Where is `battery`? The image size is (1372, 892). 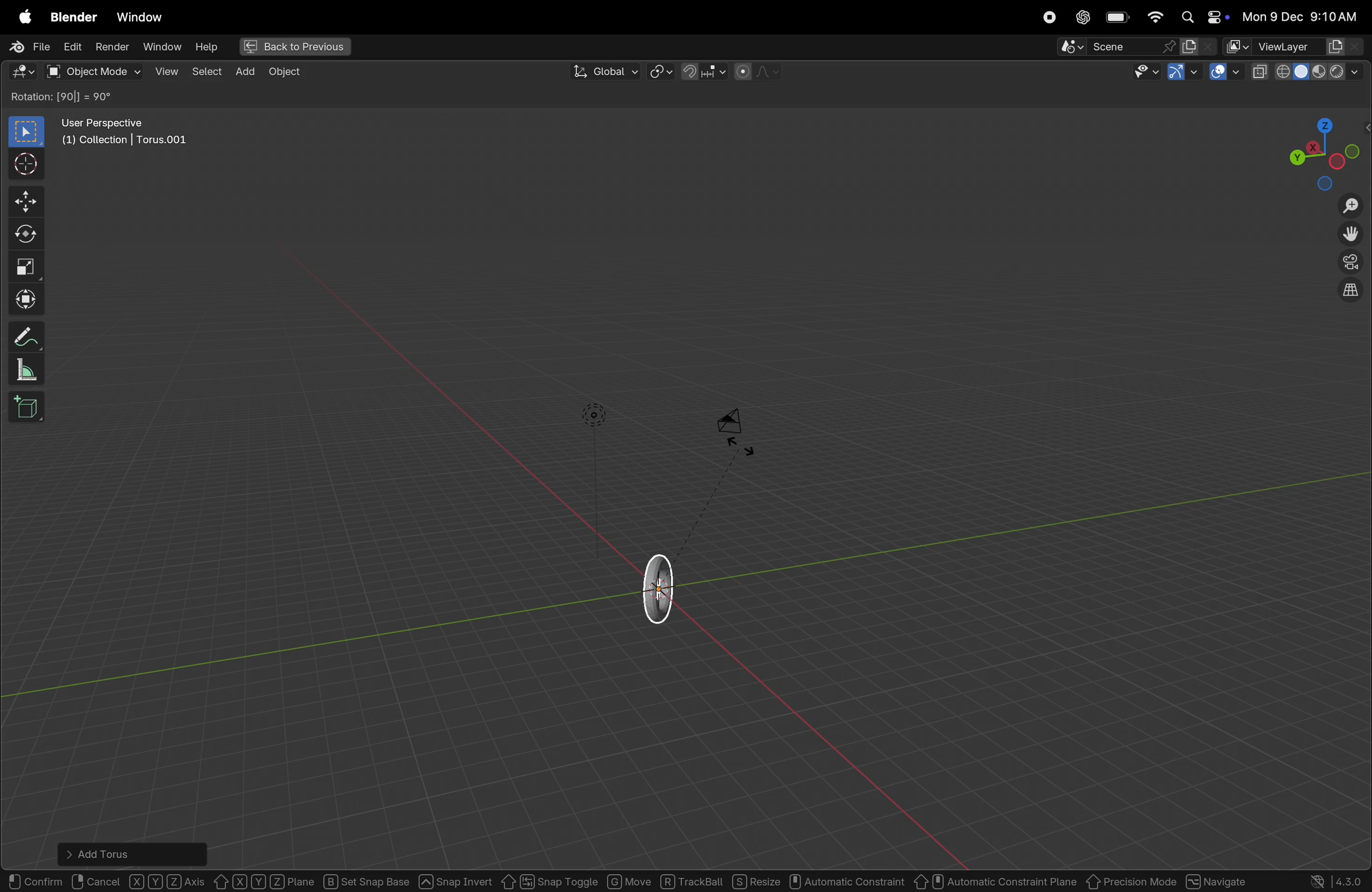
battery is located at coordinates (1118, 18).